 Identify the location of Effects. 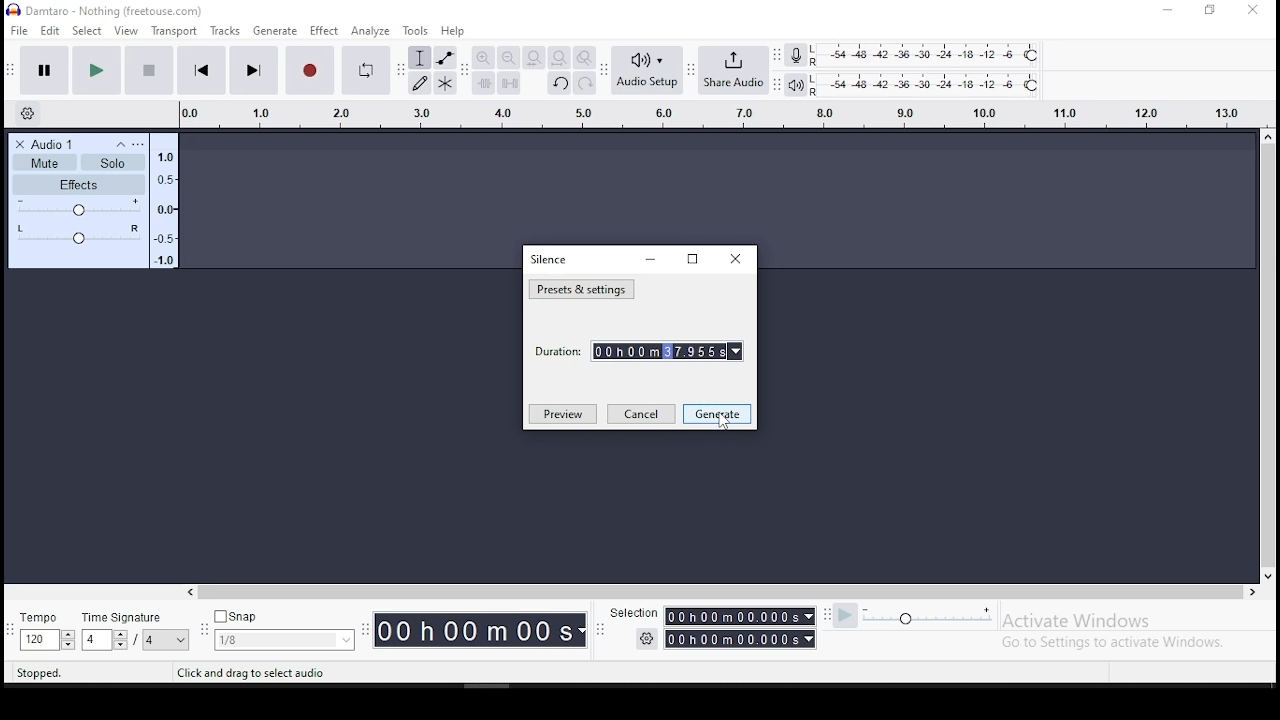
(81, 186).